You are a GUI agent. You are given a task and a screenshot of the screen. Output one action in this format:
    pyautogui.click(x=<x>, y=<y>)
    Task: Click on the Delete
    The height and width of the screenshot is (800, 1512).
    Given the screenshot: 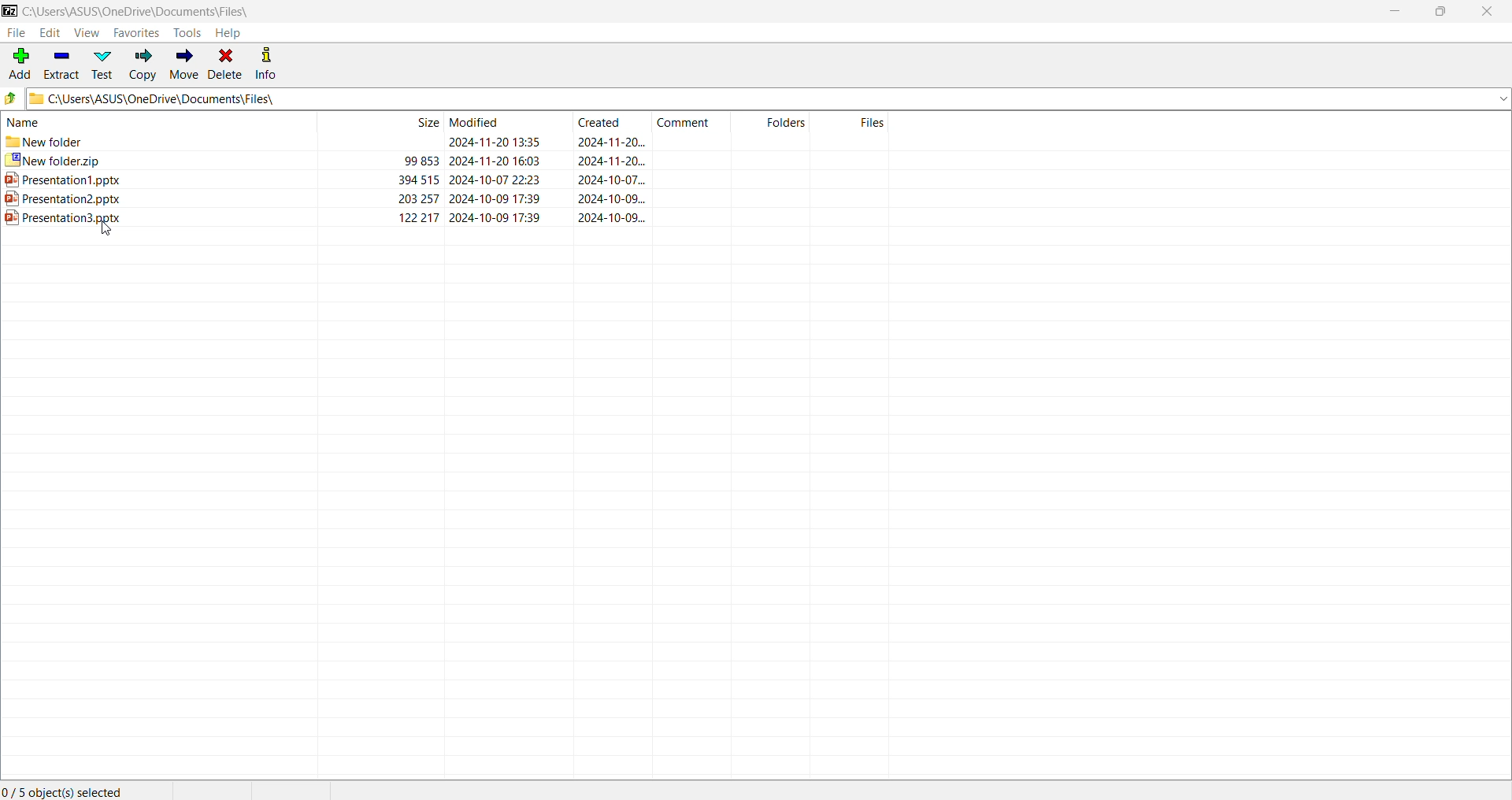 What is the action you would take?
    pyautogui.click(x=227, y=65)
    